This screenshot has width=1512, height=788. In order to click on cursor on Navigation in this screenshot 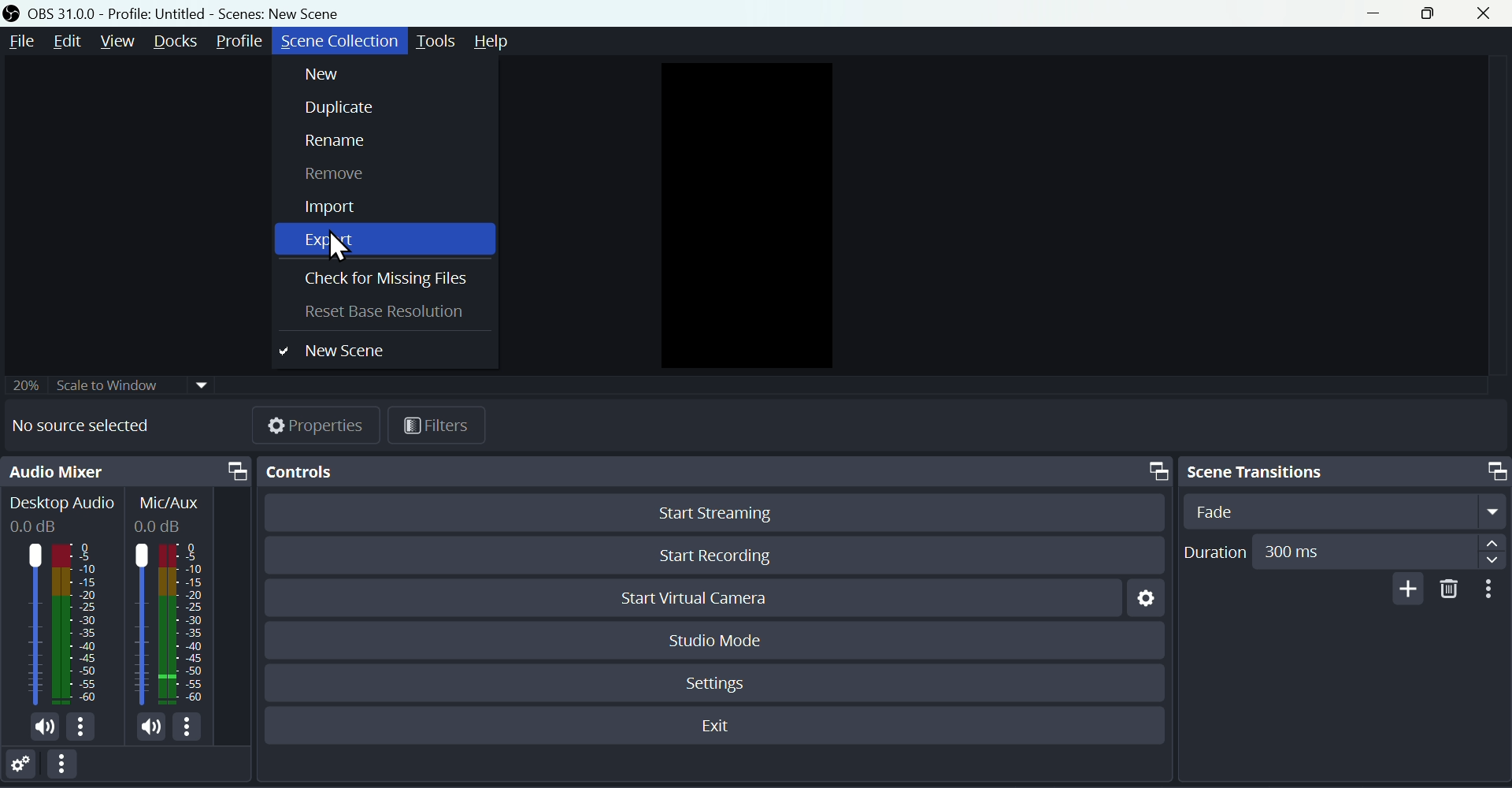, I will do `click(339, 245)`.